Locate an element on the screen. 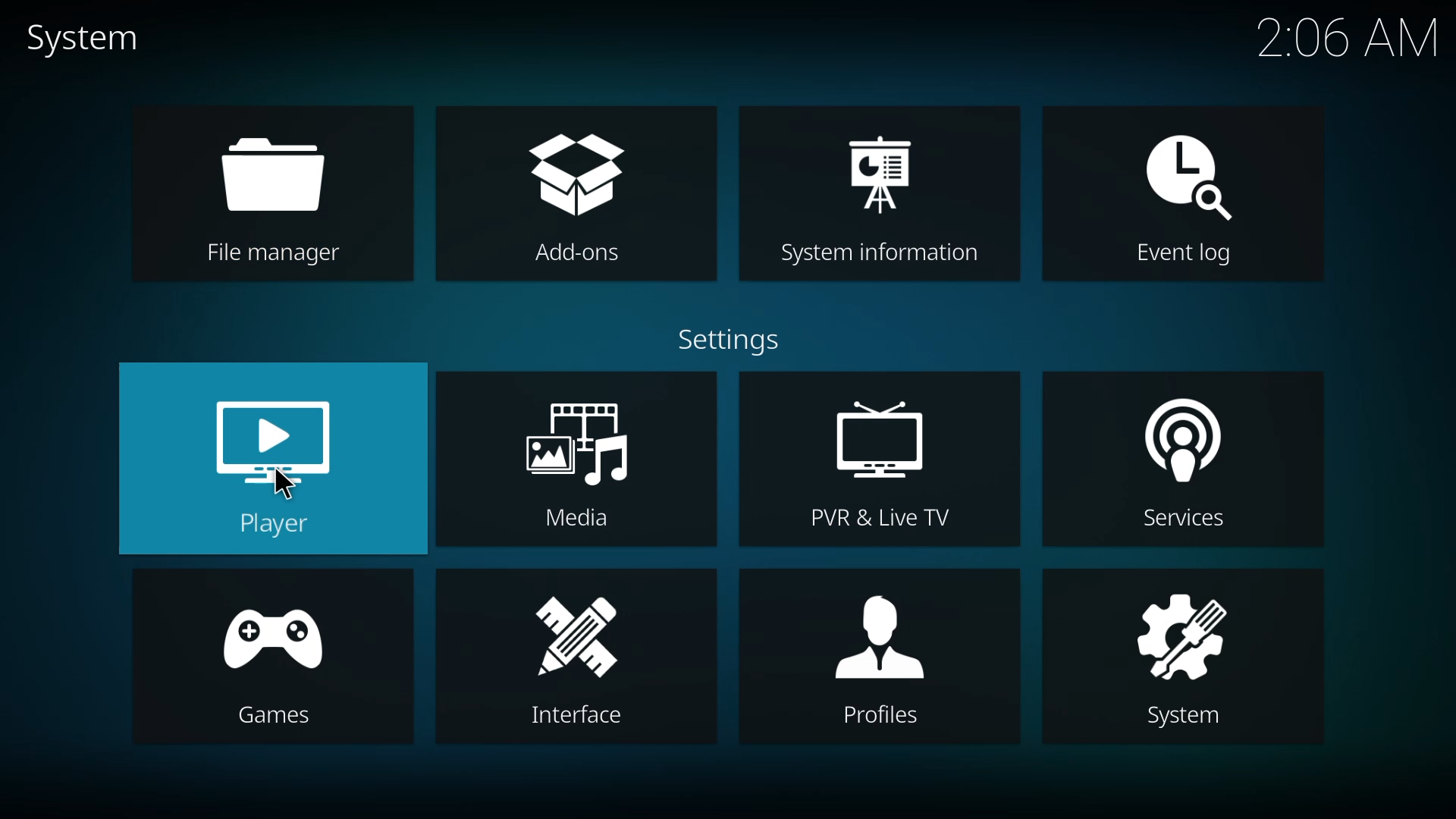 The width and height of the screenshot is (1456, 819). cursor is located at coordinates (280, 485).